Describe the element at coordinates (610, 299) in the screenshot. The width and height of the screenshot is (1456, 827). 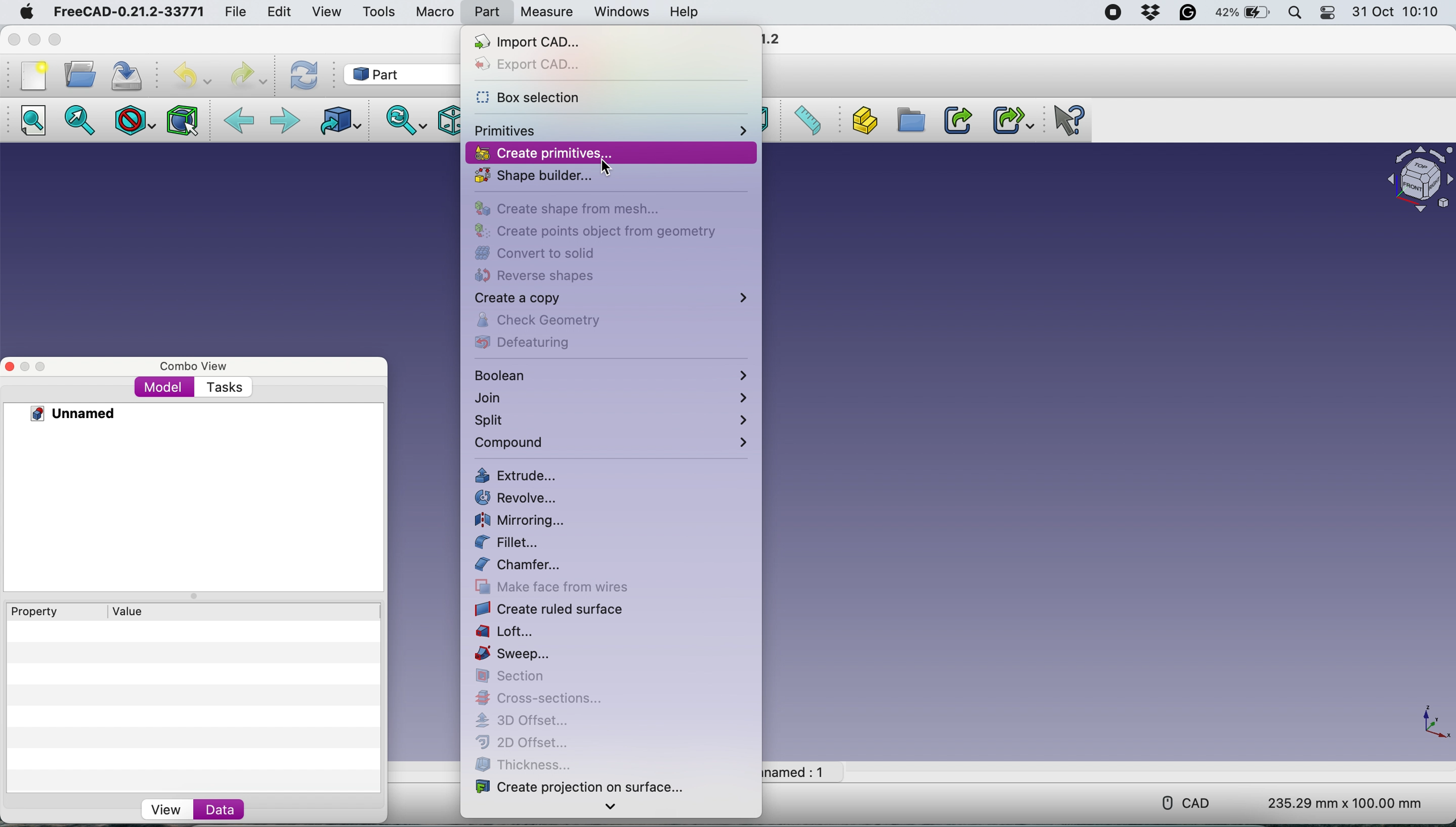
I see `create a copy` at that location.